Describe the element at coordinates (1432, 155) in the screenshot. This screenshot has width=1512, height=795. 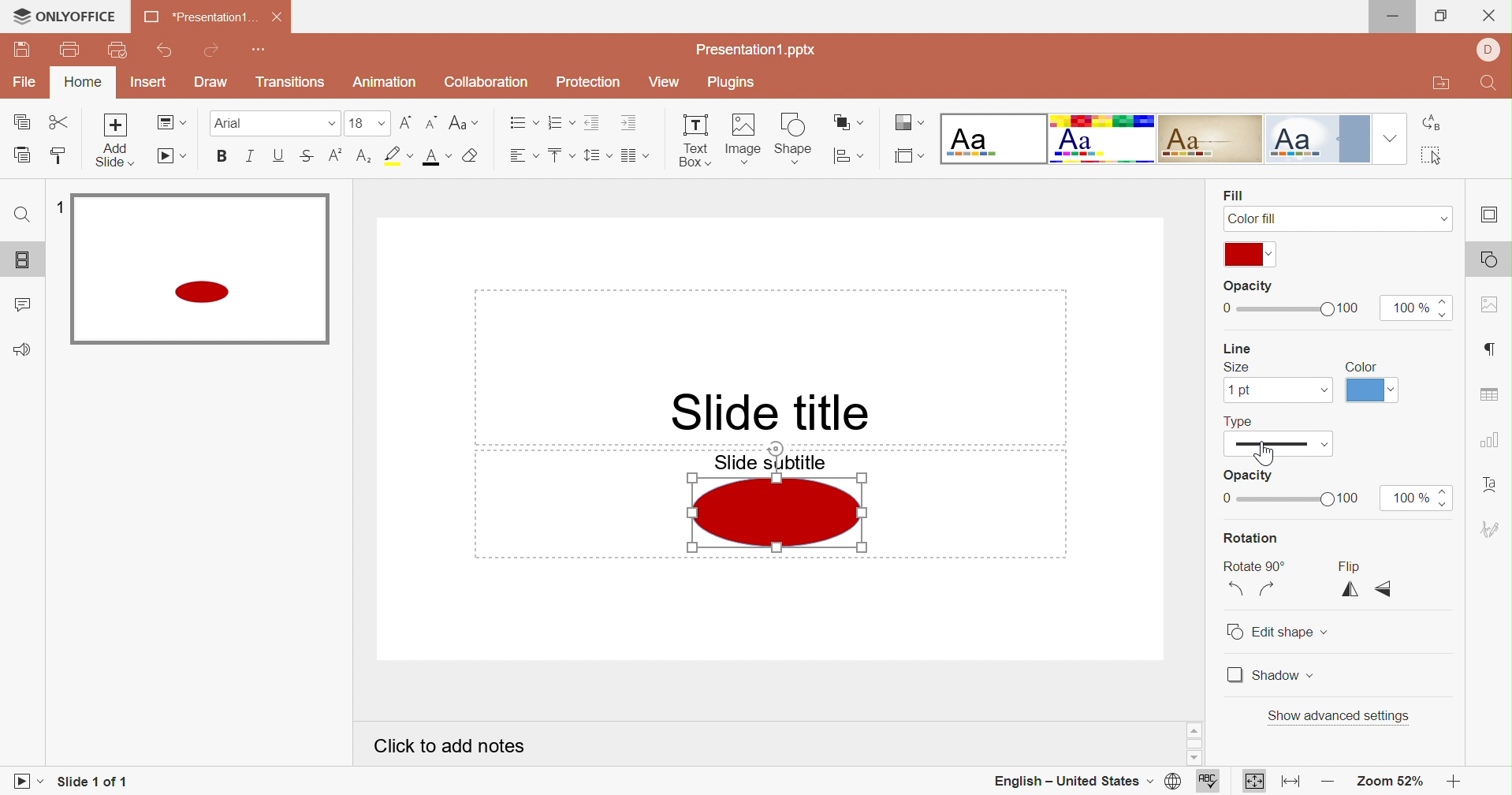
I see `Select all` at that location.